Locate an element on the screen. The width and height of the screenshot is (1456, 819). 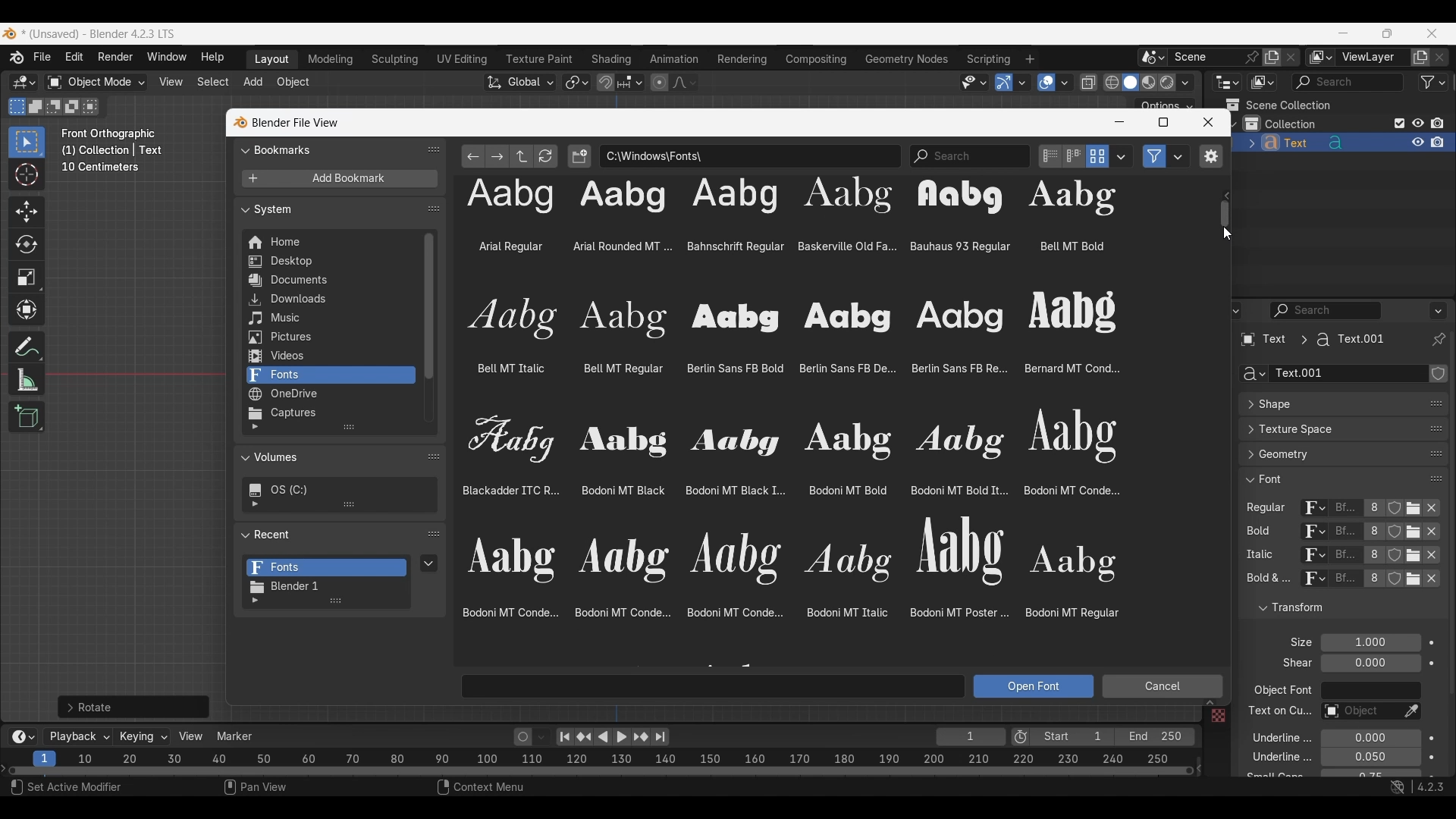
Click to expand Shape is located at coordinates (1327, 405).